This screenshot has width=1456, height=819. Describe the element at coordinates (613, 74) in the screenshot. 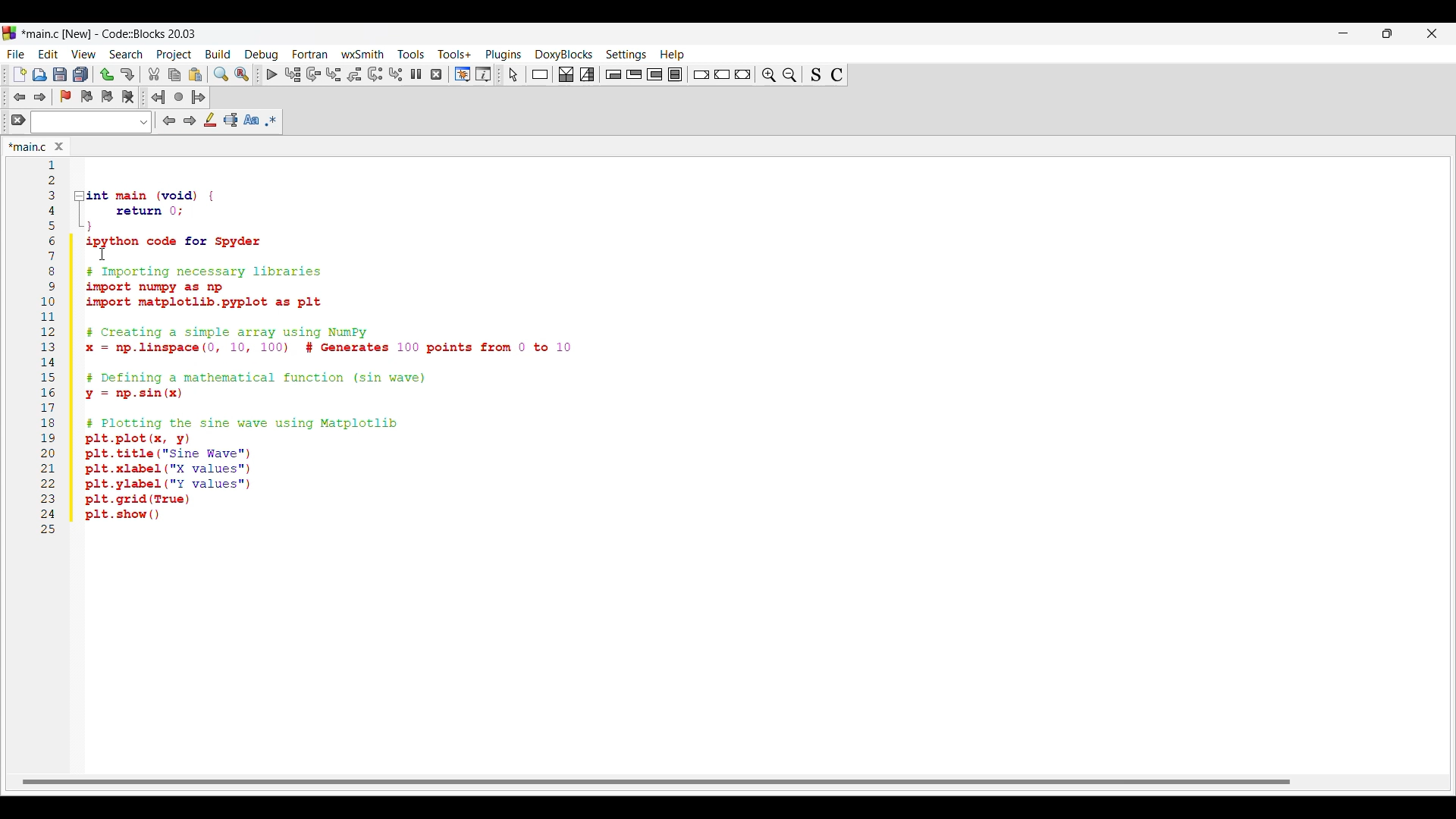

I see `Entry condition loop` at that location.